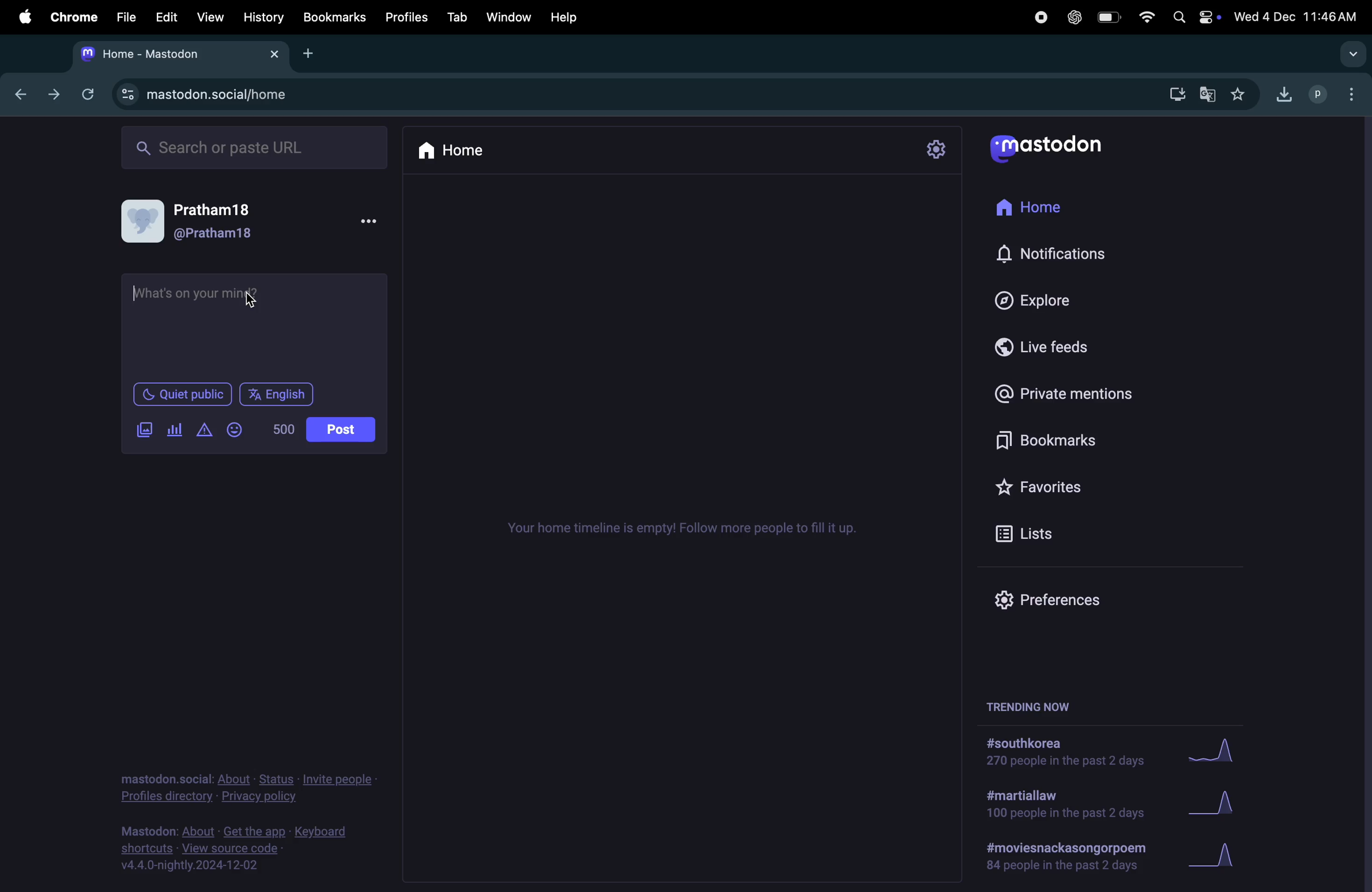  I want to click on notifications, so click(1051, 255).